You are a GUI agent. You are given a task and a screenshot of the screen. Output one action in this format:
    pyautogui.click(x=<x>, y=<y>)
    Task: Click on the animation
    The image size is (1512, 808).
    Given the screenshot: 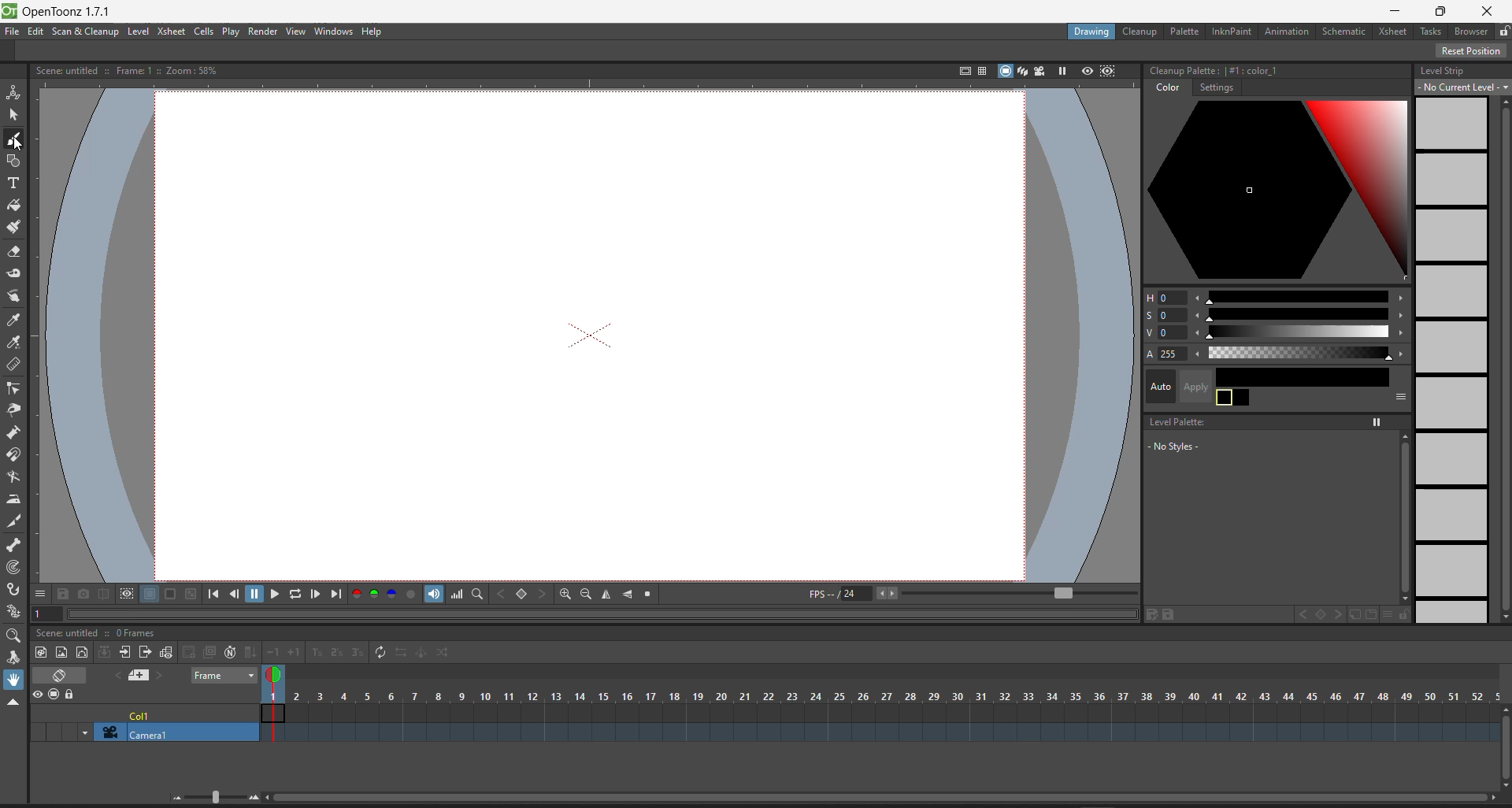 What is the action you would take?
    pyautogui.click(x=1288, y=31)
    